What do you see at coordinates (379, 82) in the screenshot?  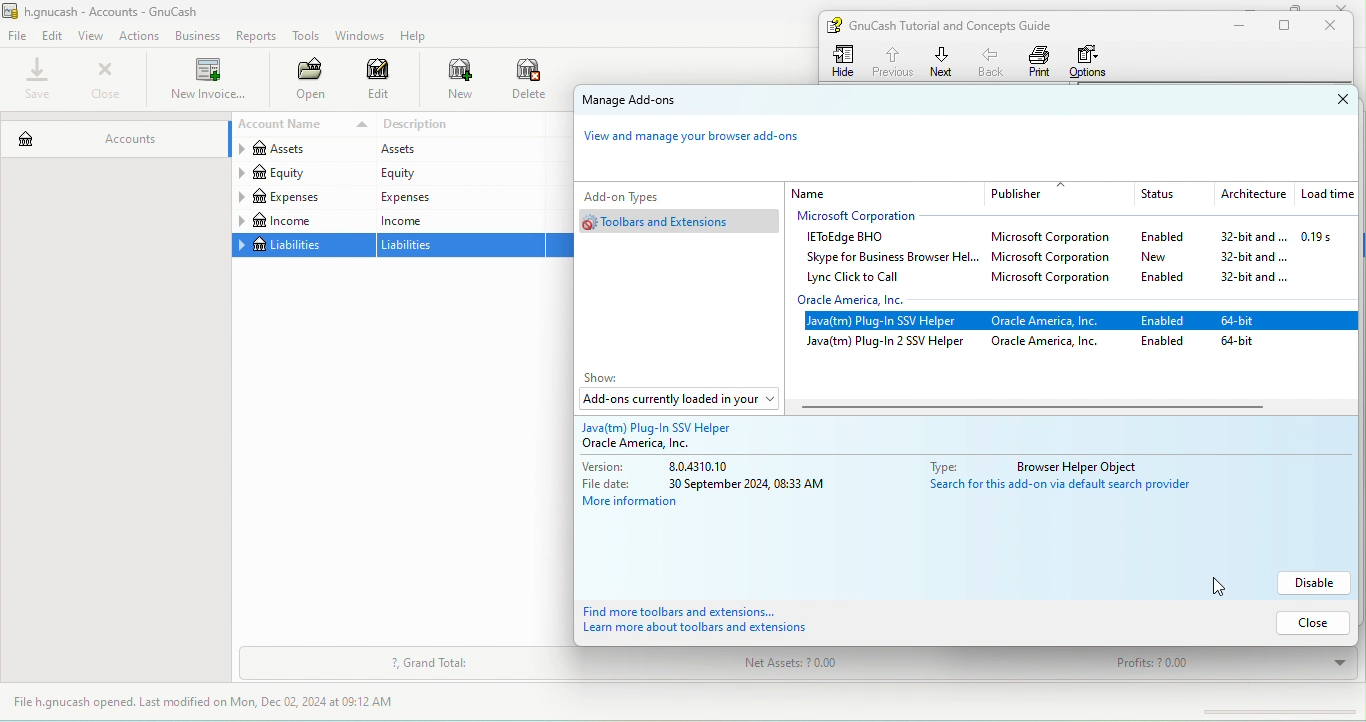 I see `edit` at bounding box center [379, 82].